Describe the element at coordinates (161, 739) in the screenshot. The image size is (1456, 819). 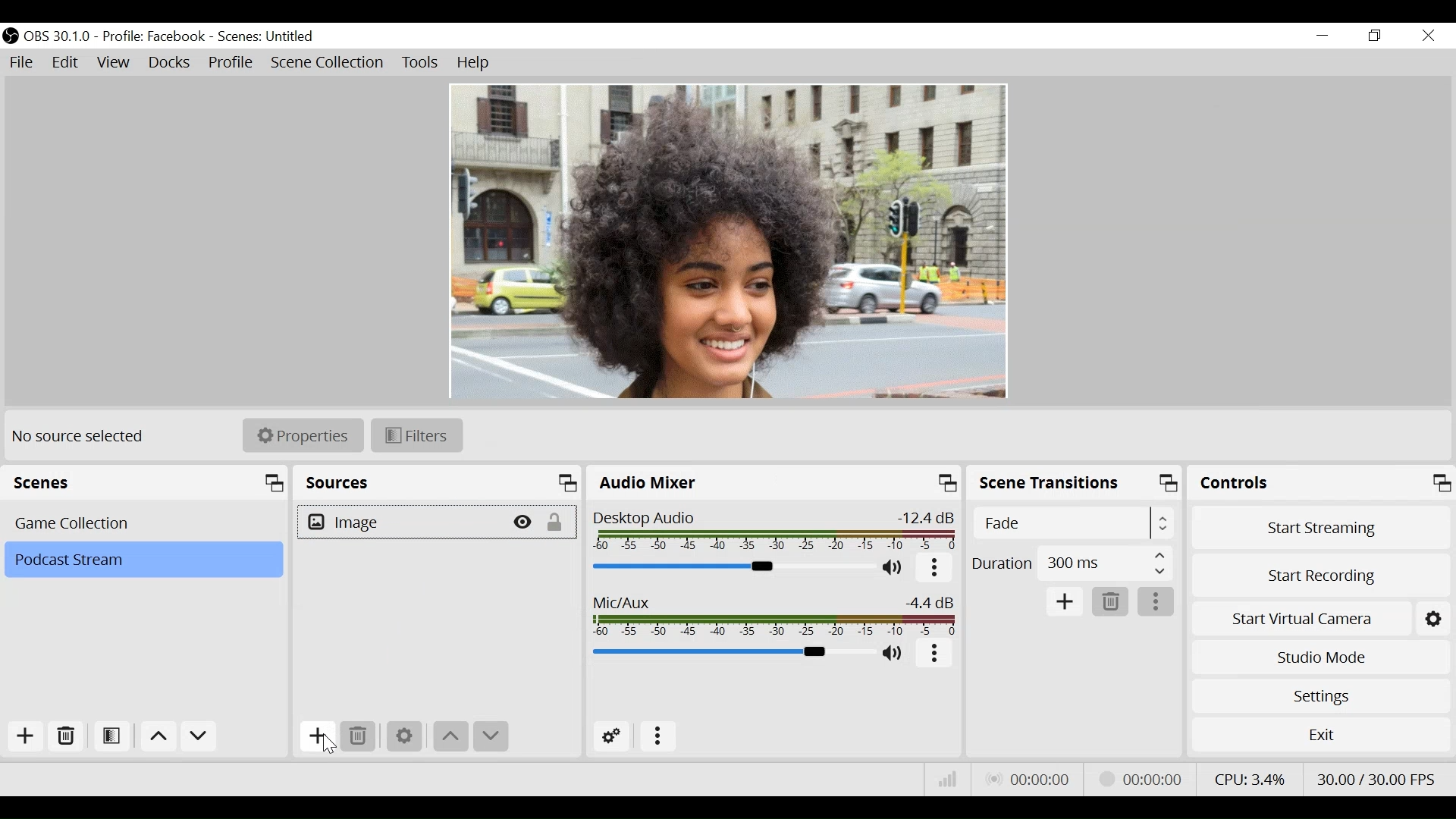
I see `Move up` at that location.